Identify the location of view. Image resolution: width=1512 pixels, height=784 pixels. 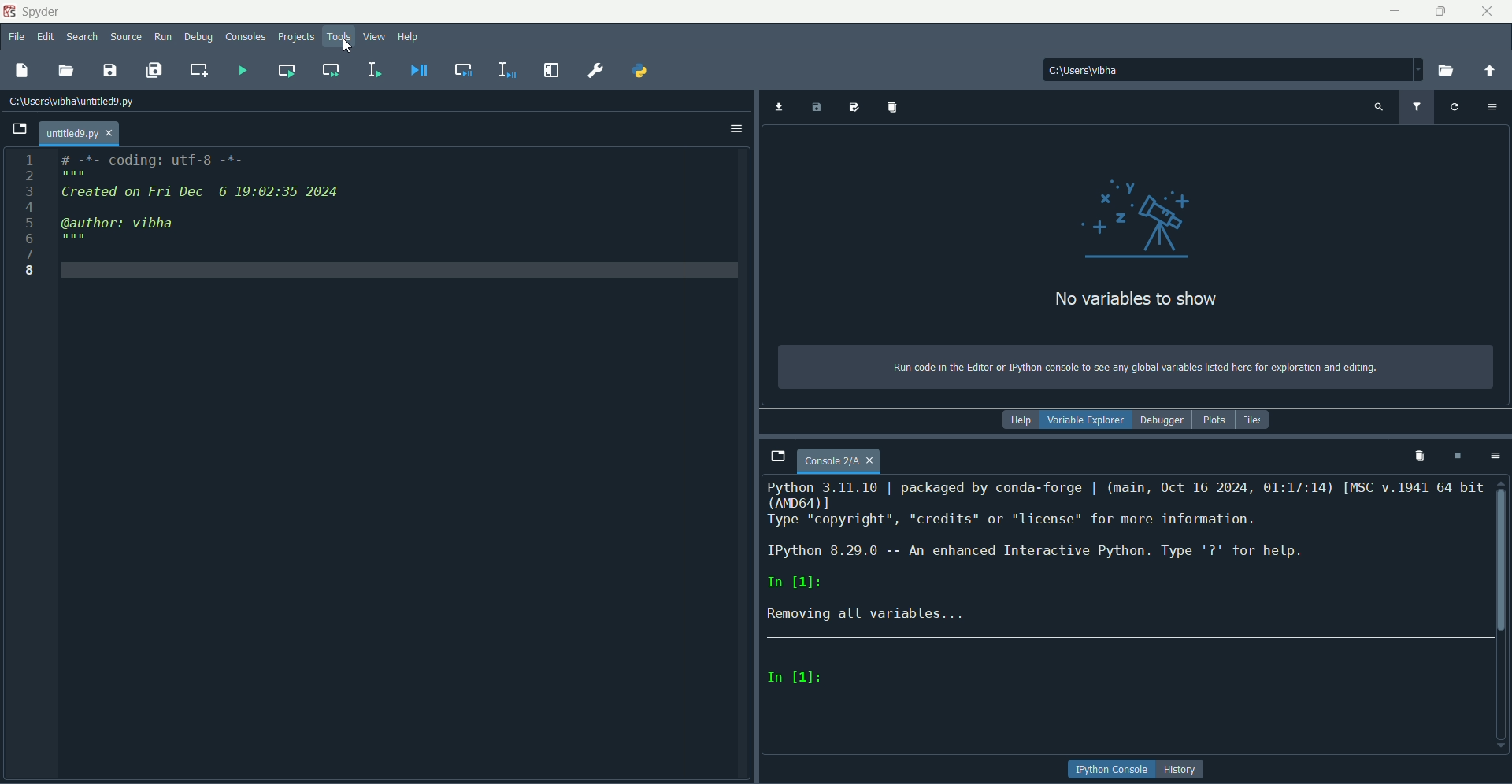
(376, 36).